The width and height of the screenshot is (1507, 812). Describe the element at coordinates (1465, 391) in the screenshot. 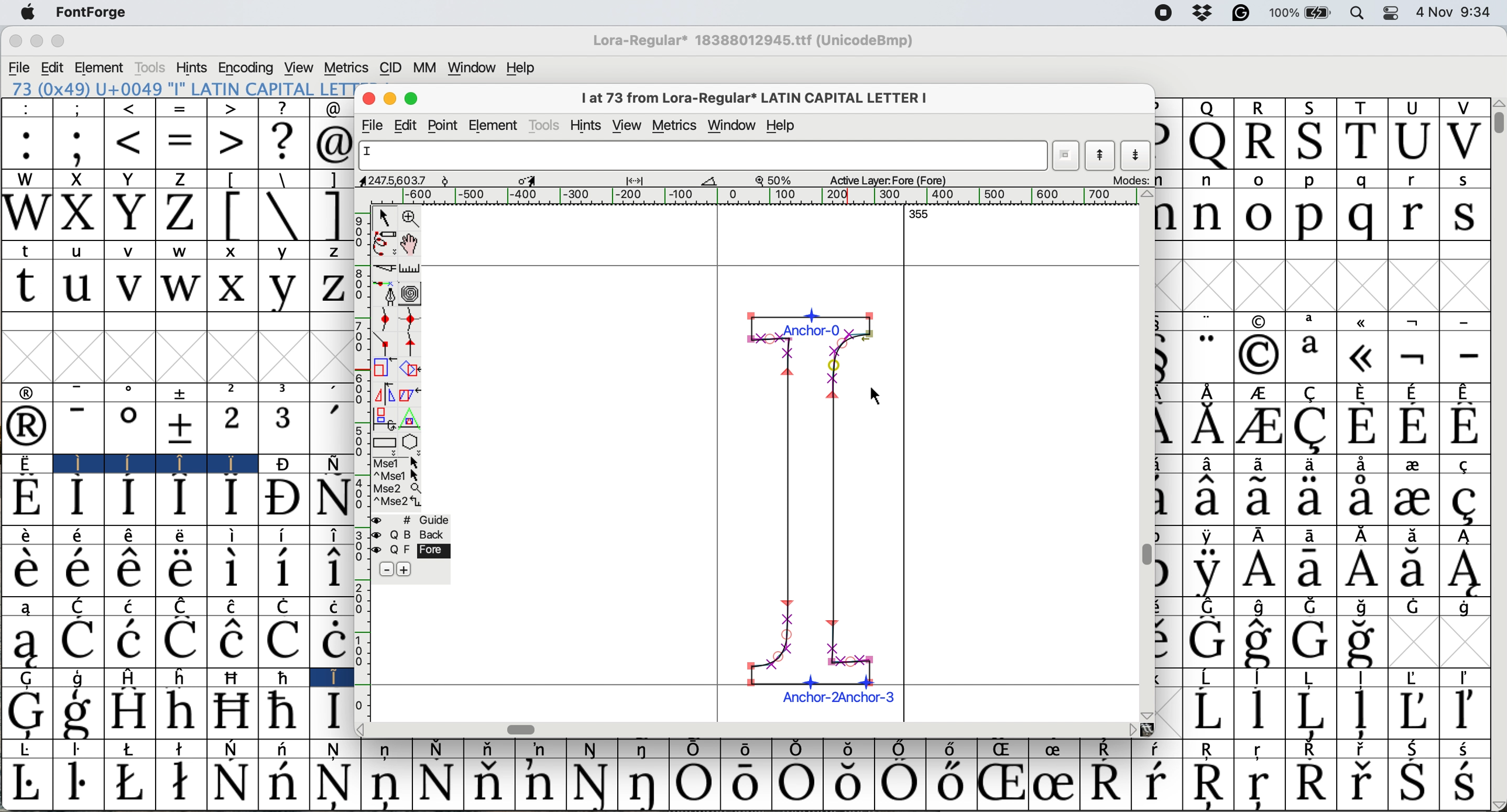

I see `Symbol` at that location.